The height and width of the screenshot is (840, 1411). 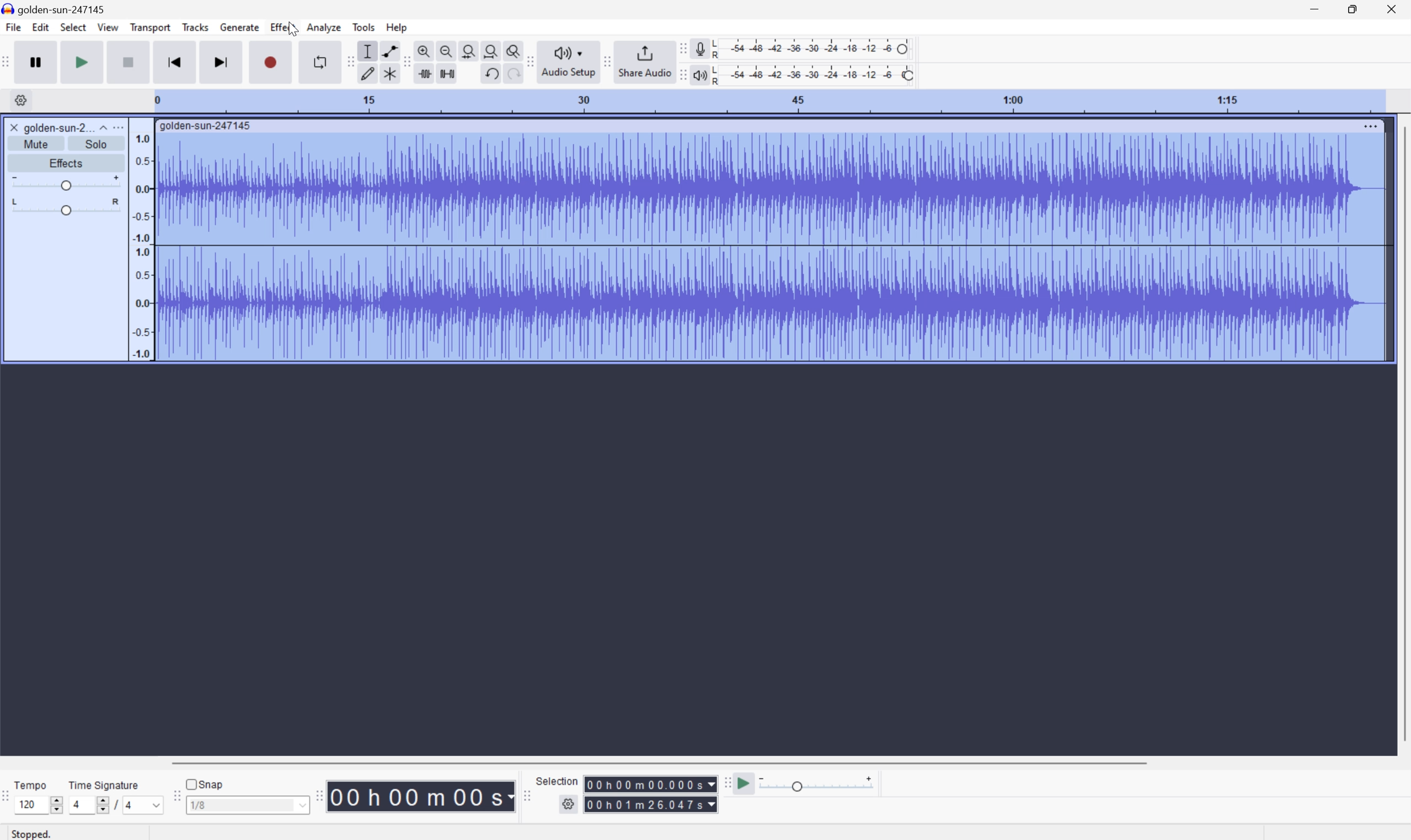 I want to click on Close, so click(x=1392, y=8).